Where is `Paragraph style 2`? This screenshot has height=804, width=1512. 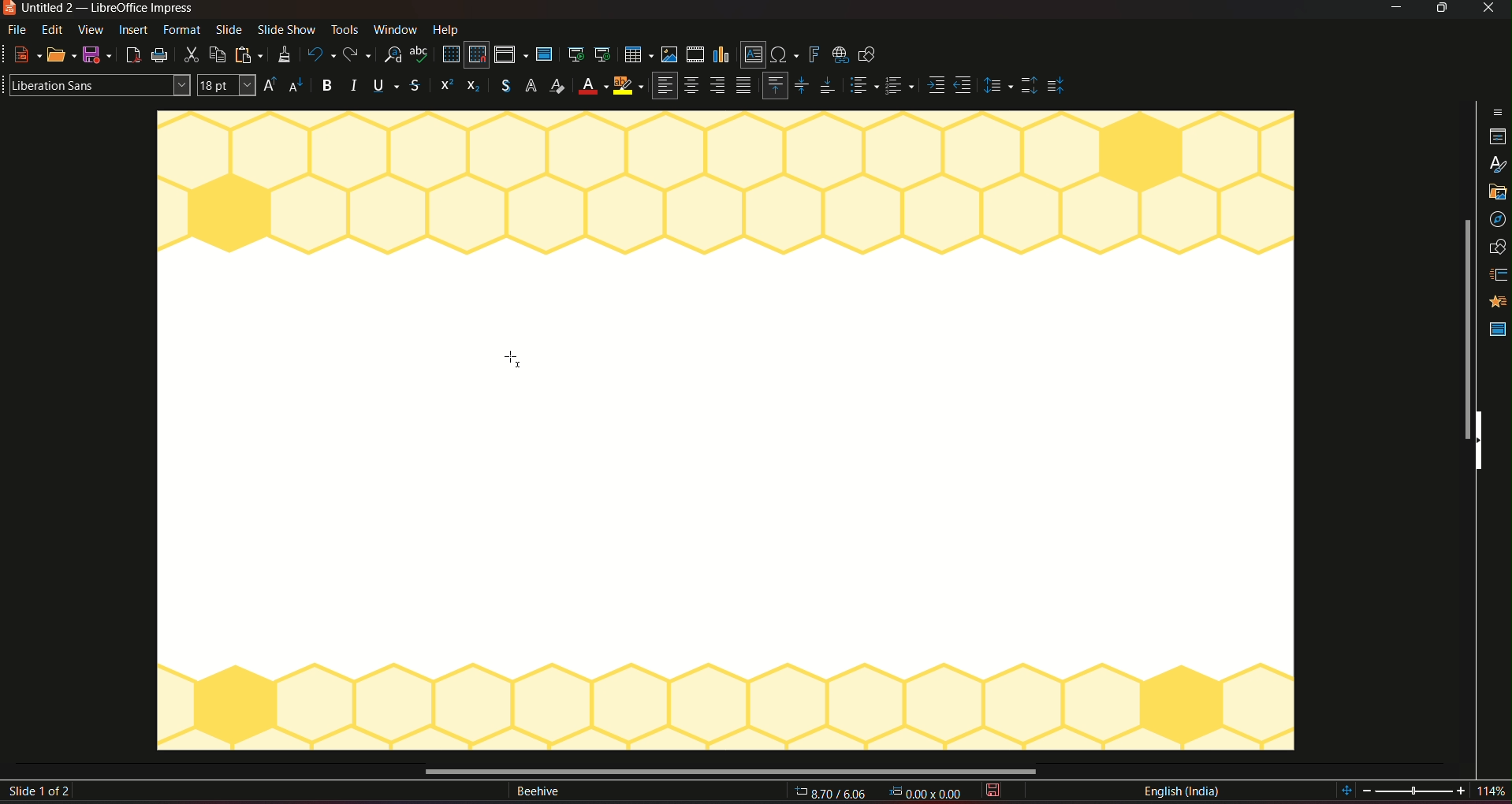
Paragraph style 2 is located at coordinates (902, 87).